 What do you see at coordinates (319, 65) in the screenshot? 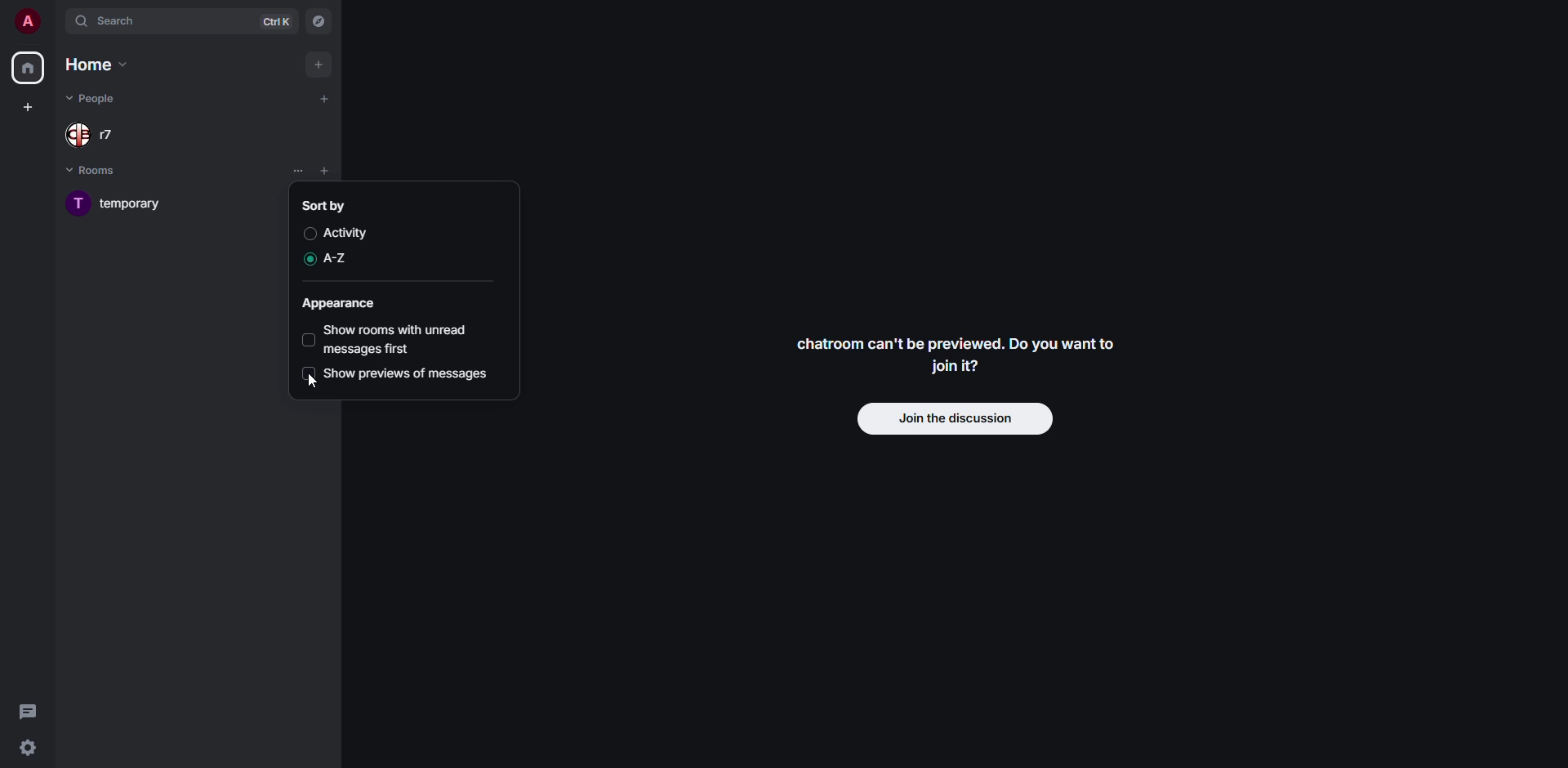
I see `add` at bounding box center [319, 65].